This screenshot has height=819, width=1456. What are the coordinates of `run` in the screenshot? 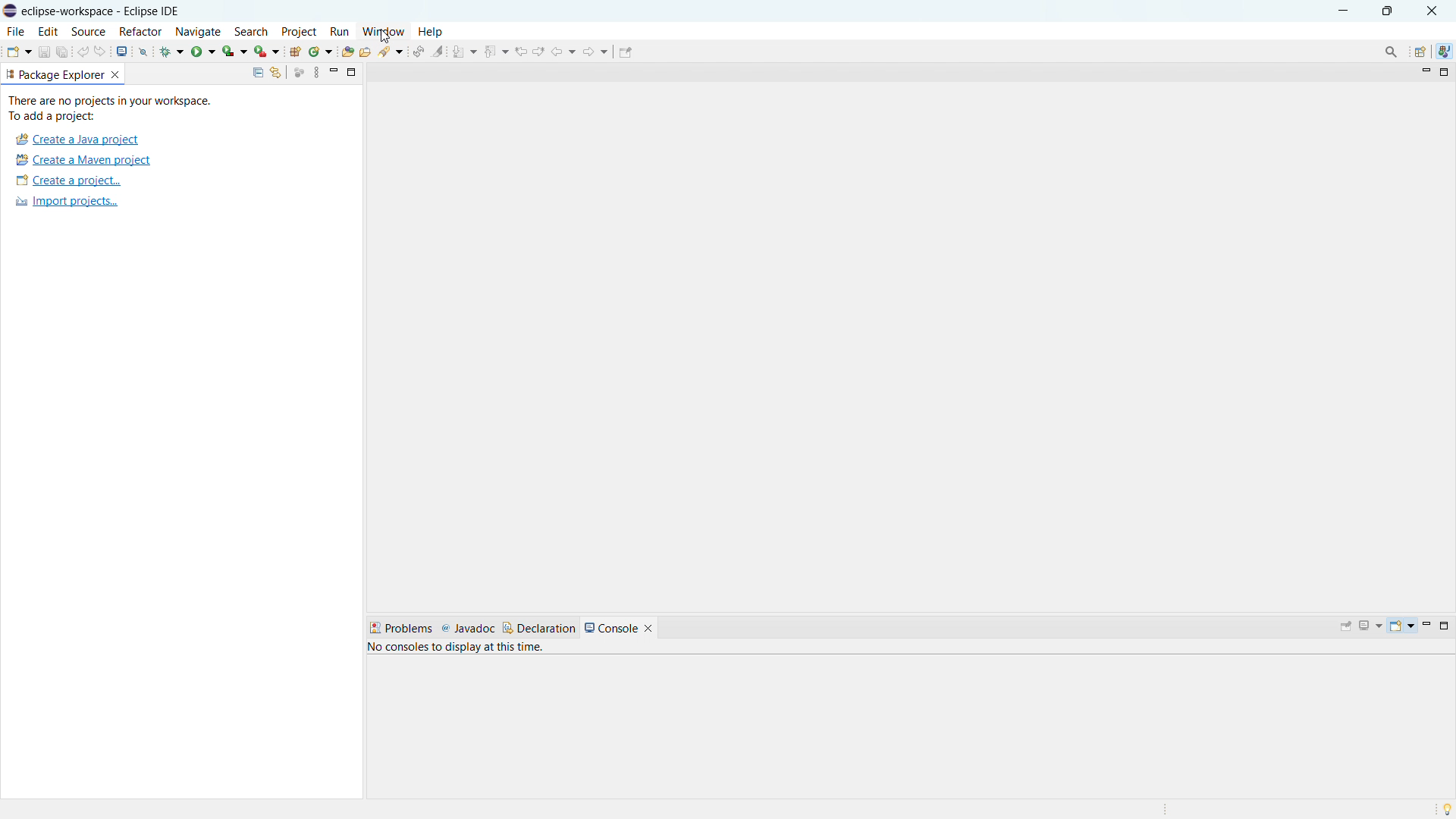 It's located at (339, 31).